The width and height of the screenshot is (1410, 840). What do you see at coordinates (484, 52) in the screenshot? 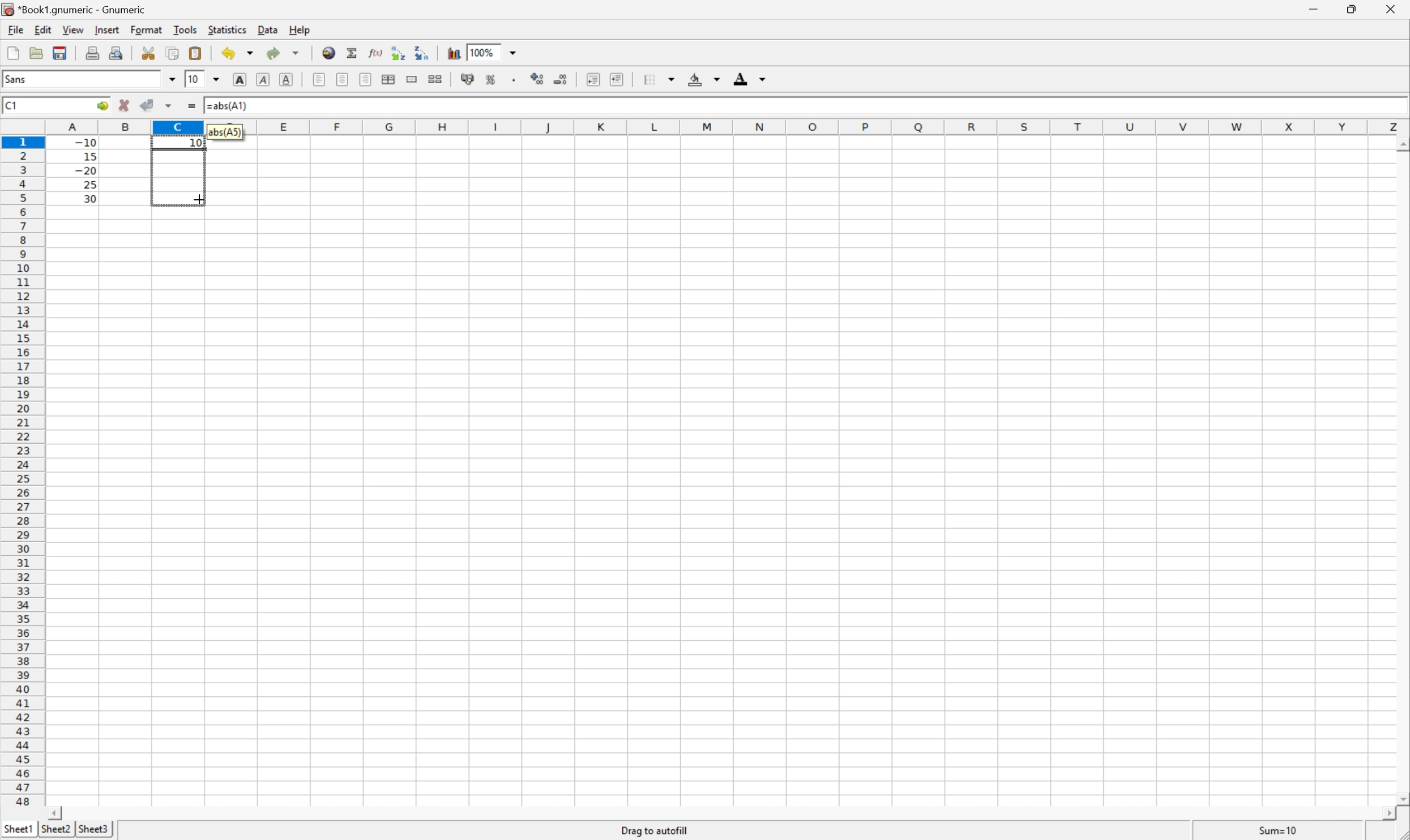
I see `100%` at bounding box center [484, 52].